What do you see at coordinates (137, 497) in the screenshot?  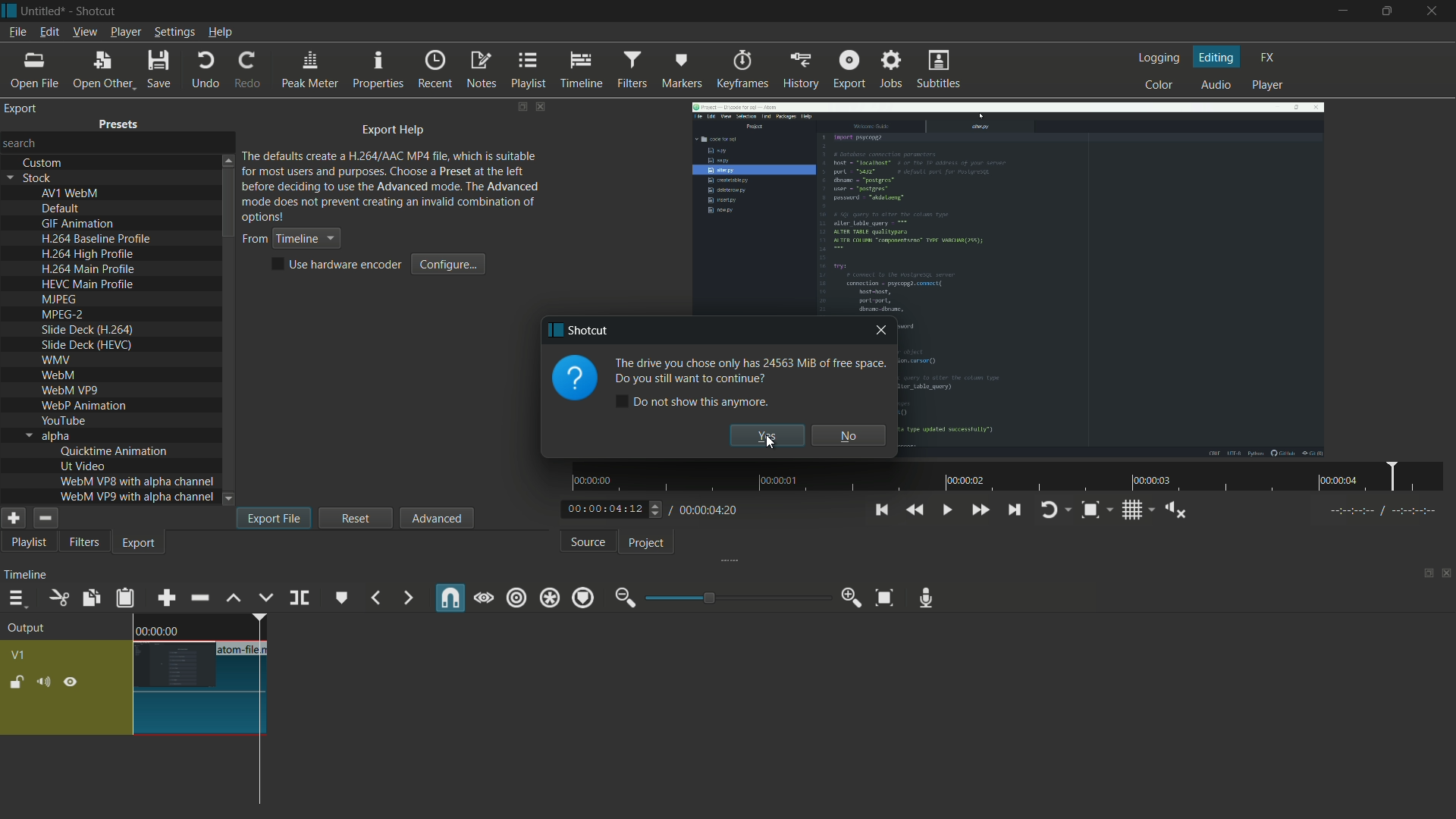 I see `webm vp9 with alpha channel` at bounding box center [137, 497].